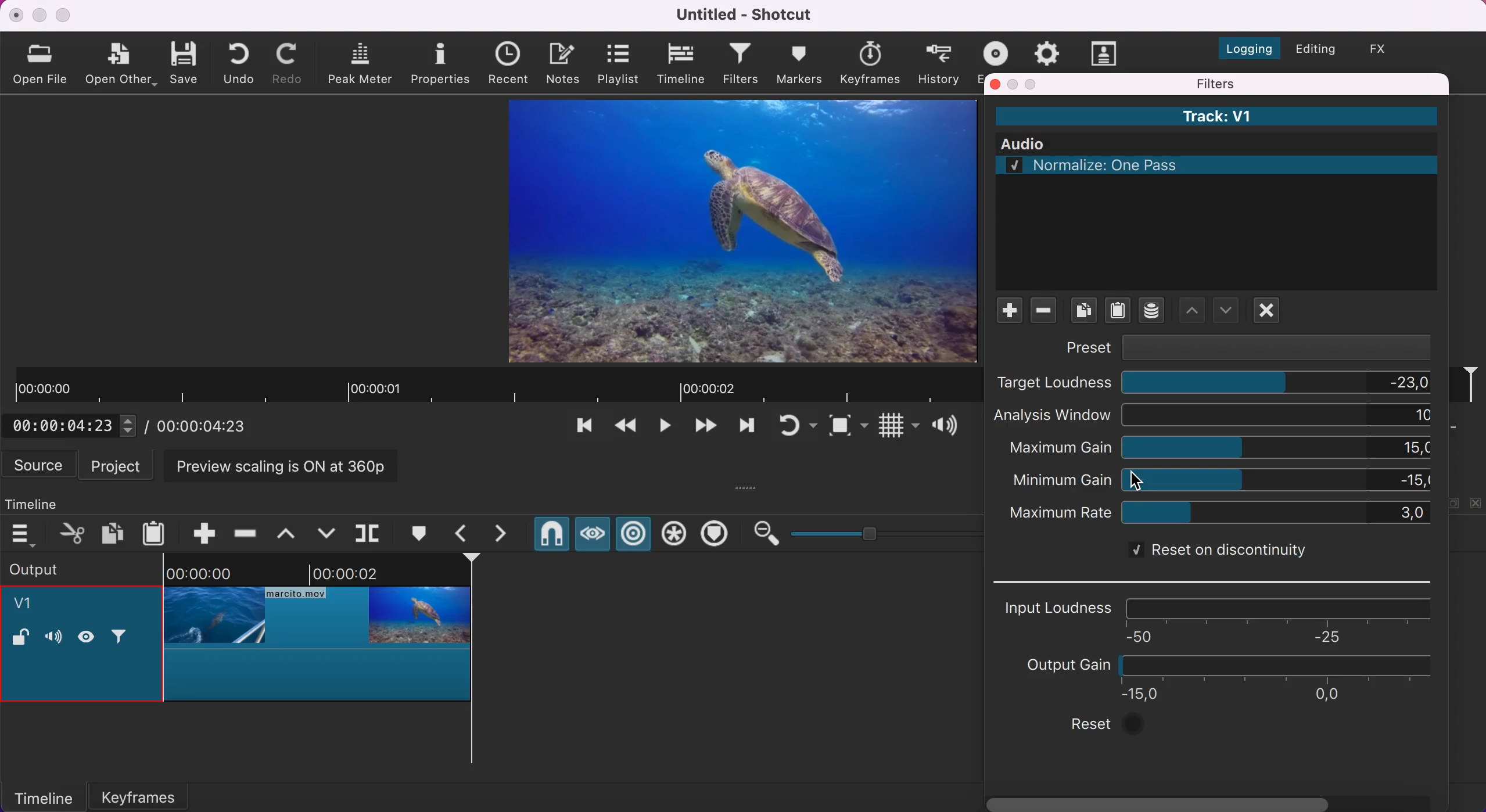  Describe the element at coordinates (566, 62) in the screenshot. I see `notes` at that location.